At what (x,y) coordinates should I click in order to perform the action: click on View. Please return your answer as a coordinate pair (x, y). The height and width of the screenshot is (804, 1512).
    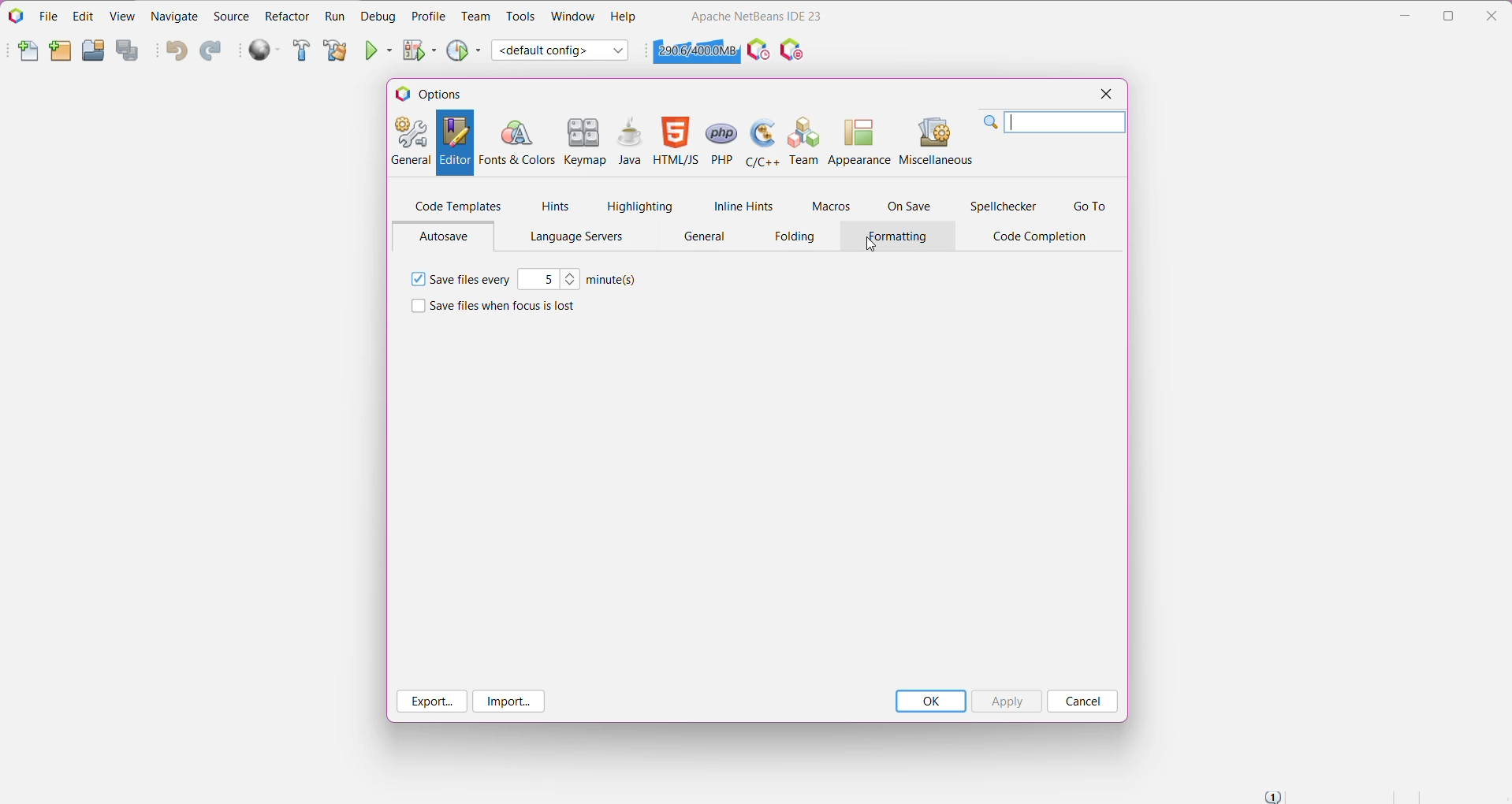
    Looking at the image, I should click on (124, 15).